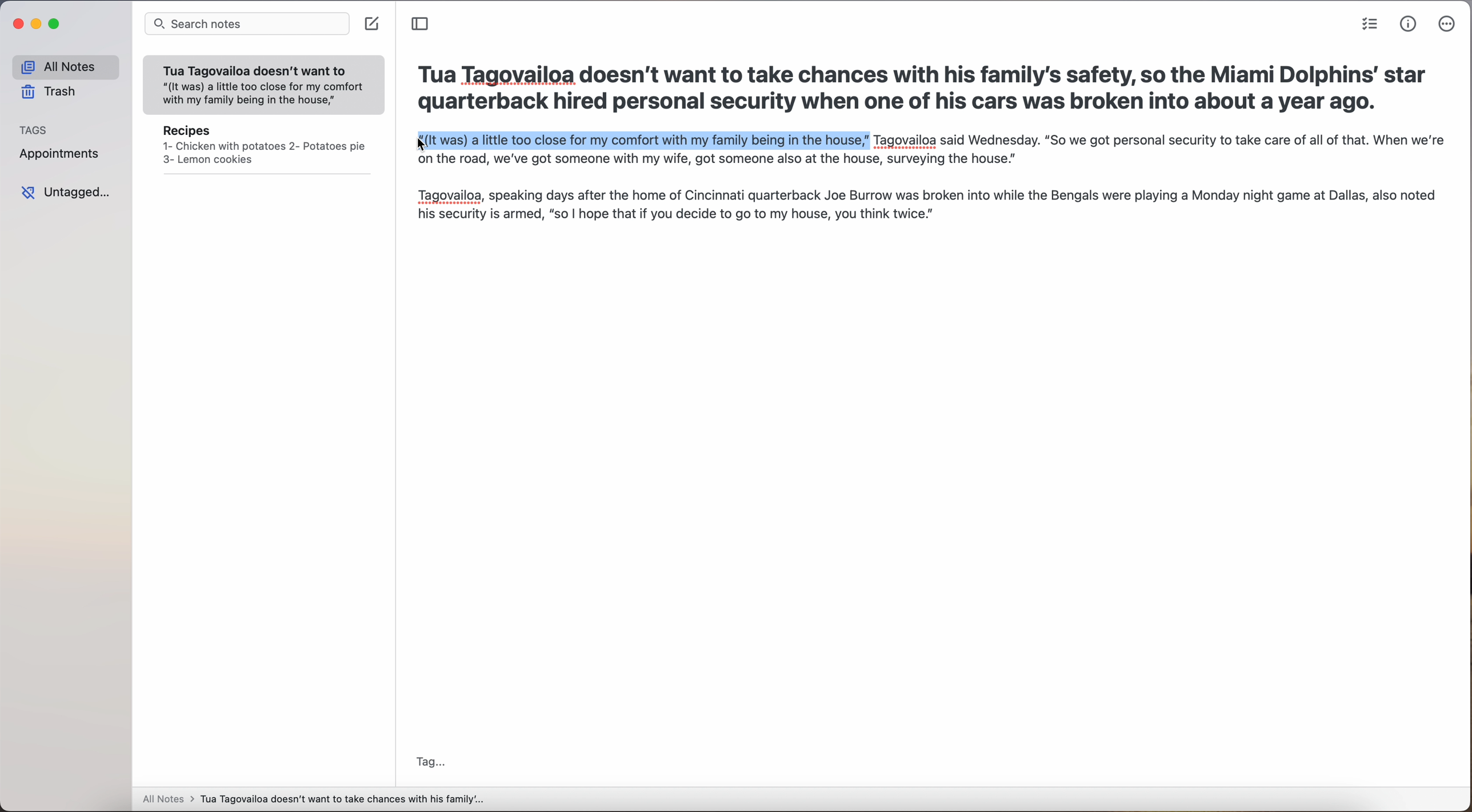  What do you see at coordinates (923, 91) in the screenshot?
I see `title: Tua Tagovailoa doesn't want to take chances with his family's safety` at bounding box center [923, 91].